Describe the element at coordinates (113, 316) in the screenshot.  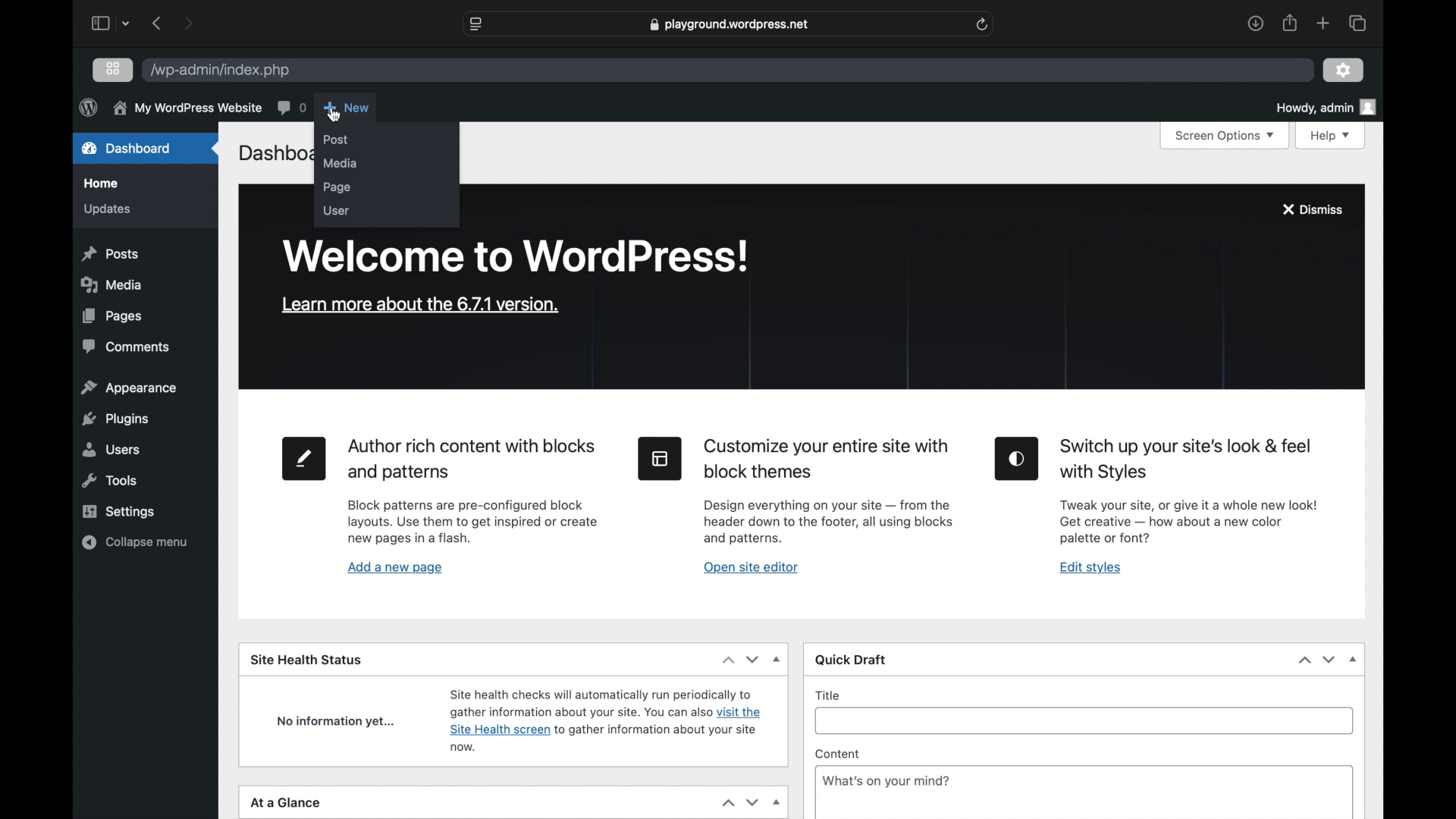
I see `pages` at that location.